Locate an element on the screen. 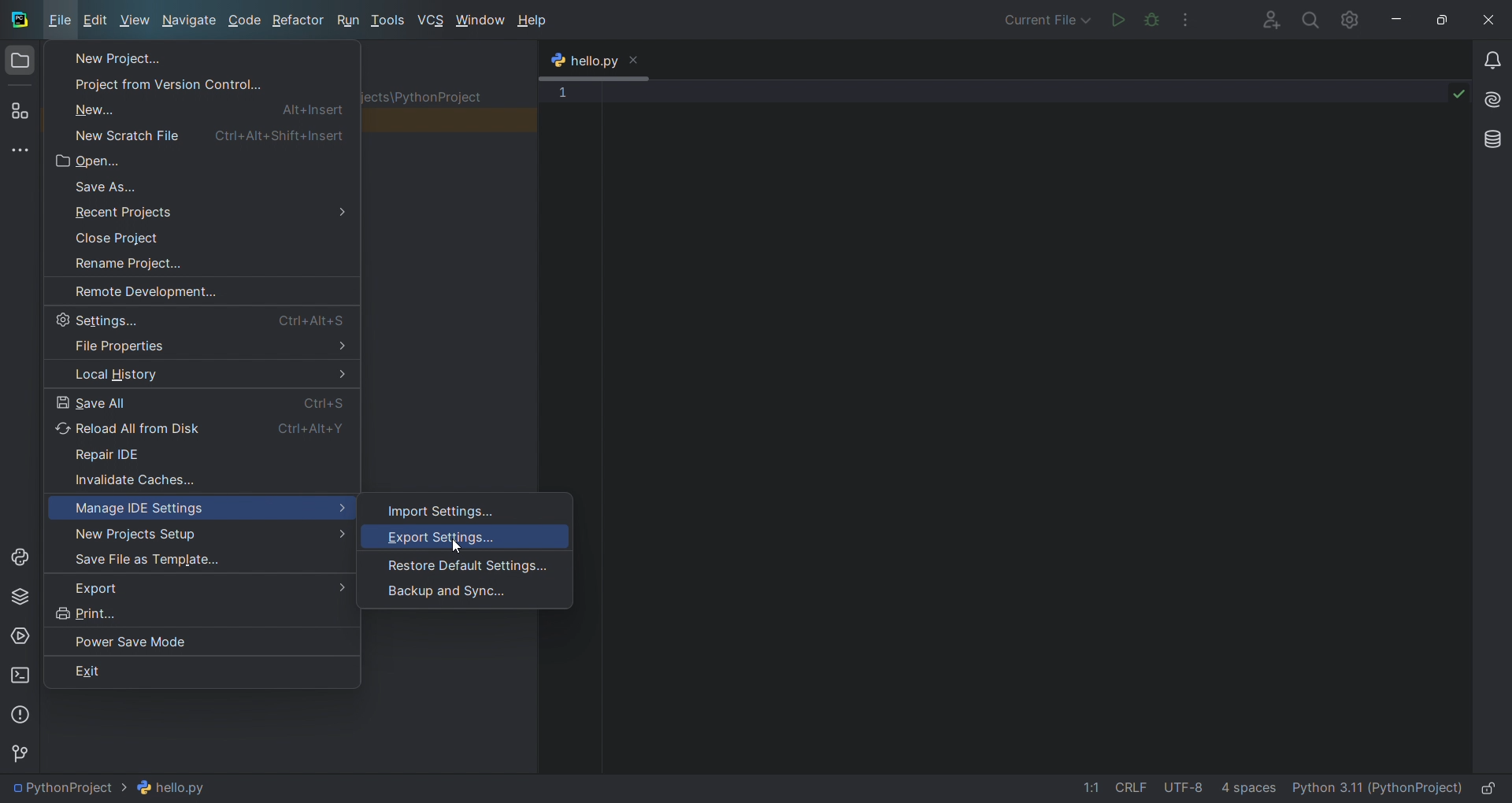  project from version control is located at coordinates (199, 83).